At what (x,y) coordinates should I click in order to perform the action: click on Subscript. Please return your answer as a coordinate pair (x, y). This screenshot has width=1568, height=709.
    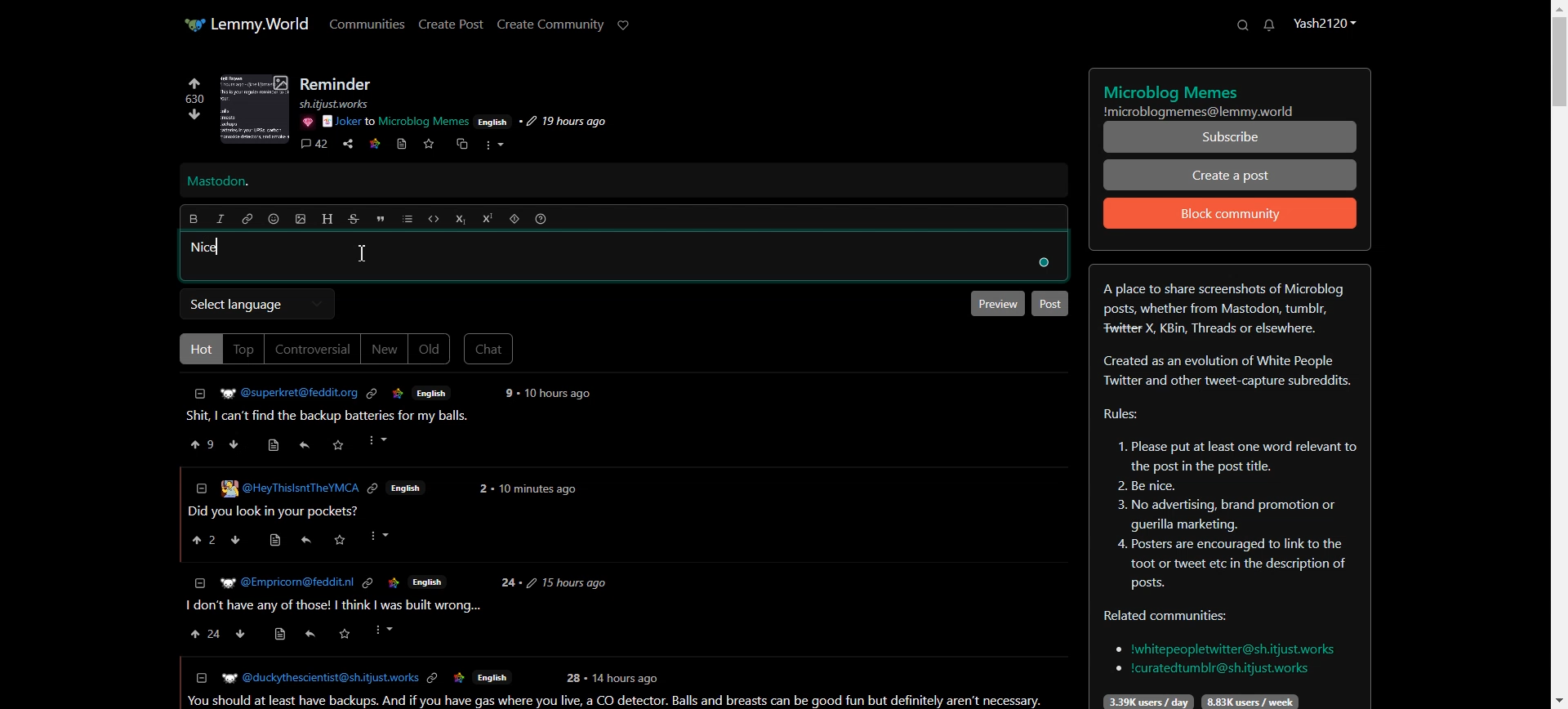
    Looking at the image, I should click on (460, 220).